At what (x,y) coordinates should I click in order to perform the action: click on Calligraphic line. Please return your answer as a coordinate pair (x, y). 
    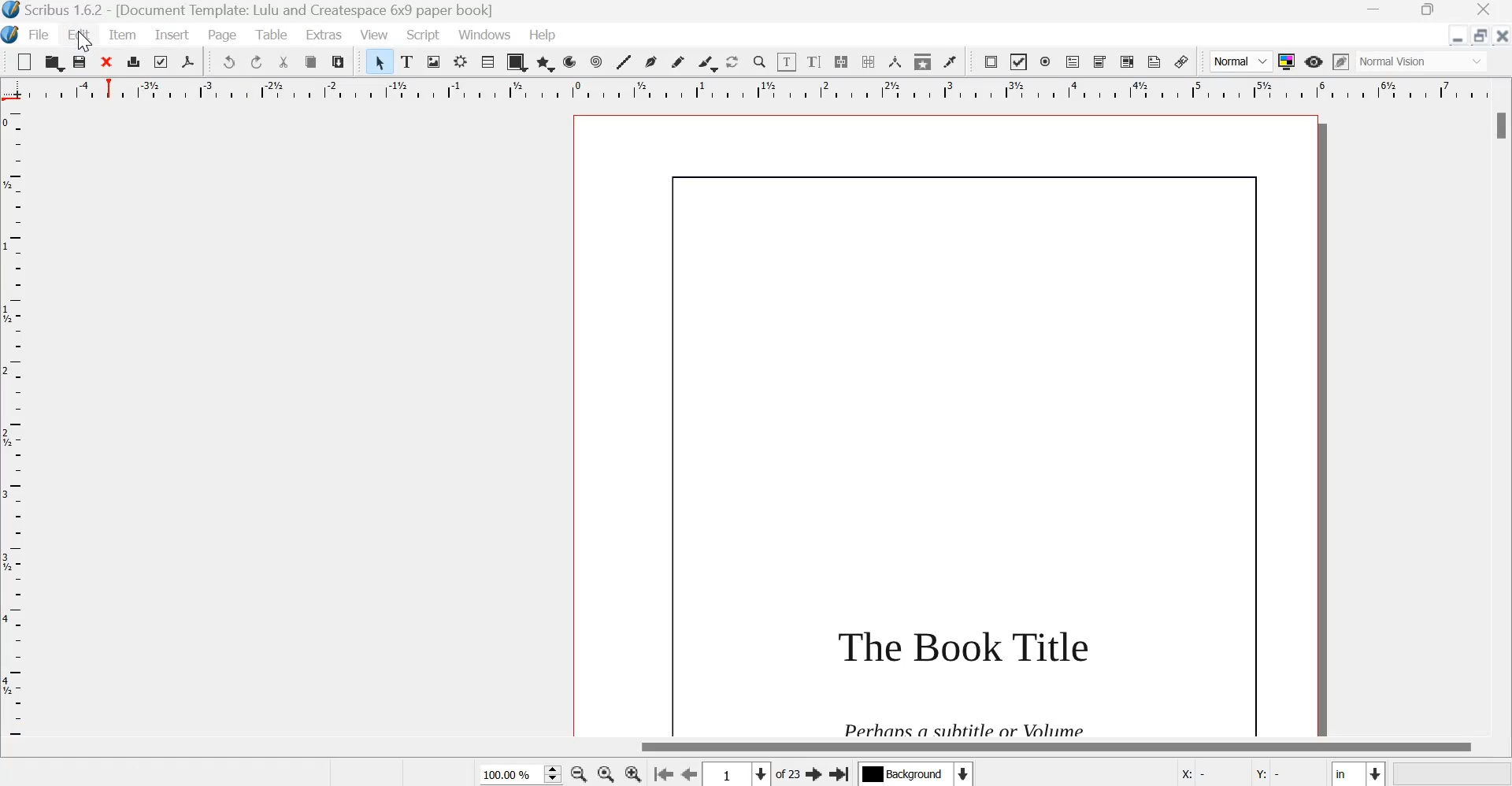
    Looking at the image, I should click on (707, 62).